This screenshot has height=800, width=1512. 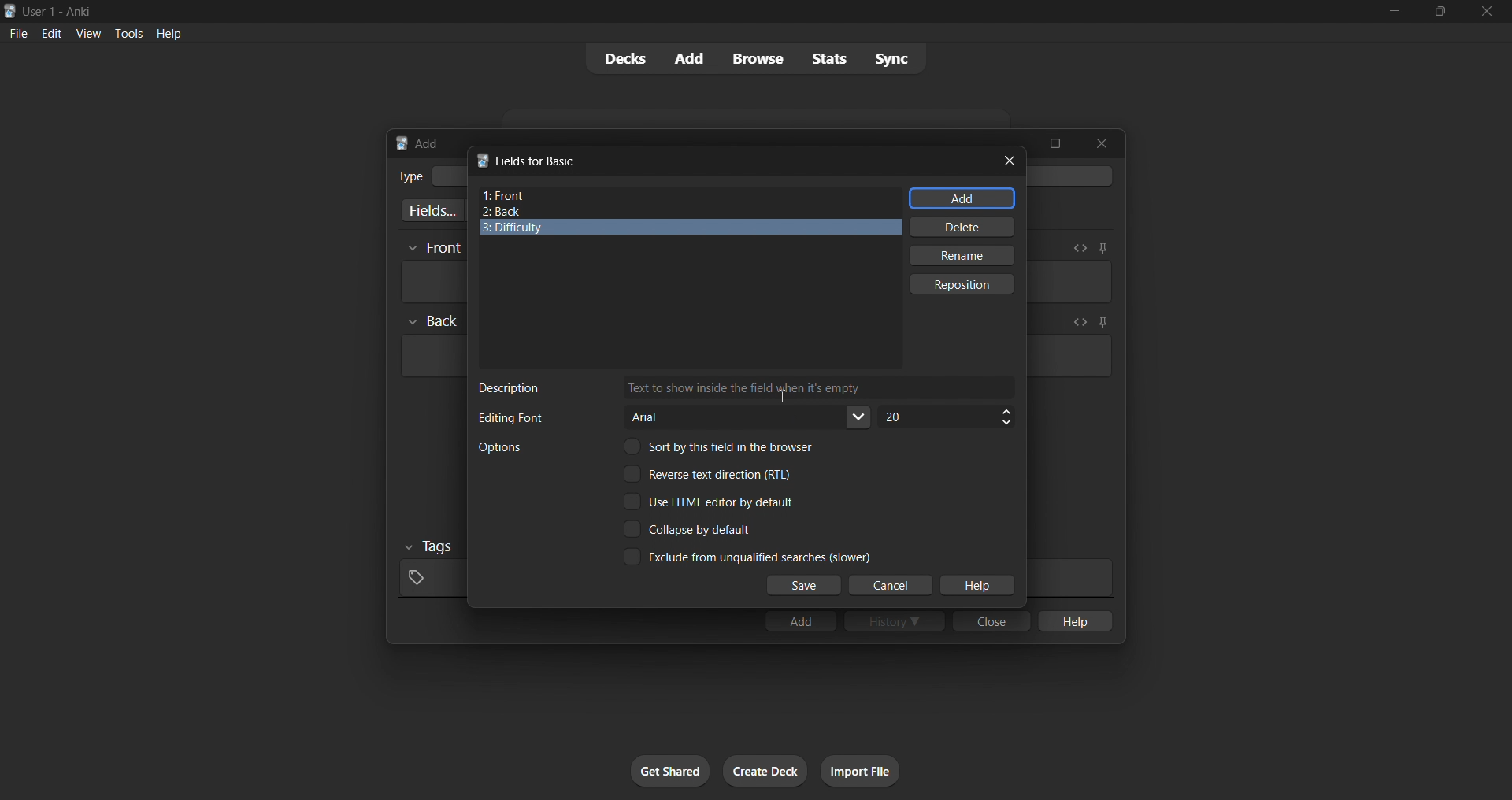 What do you see at coordinates (758, 58) in the screenshot?
I see `browse` at bounding box center [758, 58].